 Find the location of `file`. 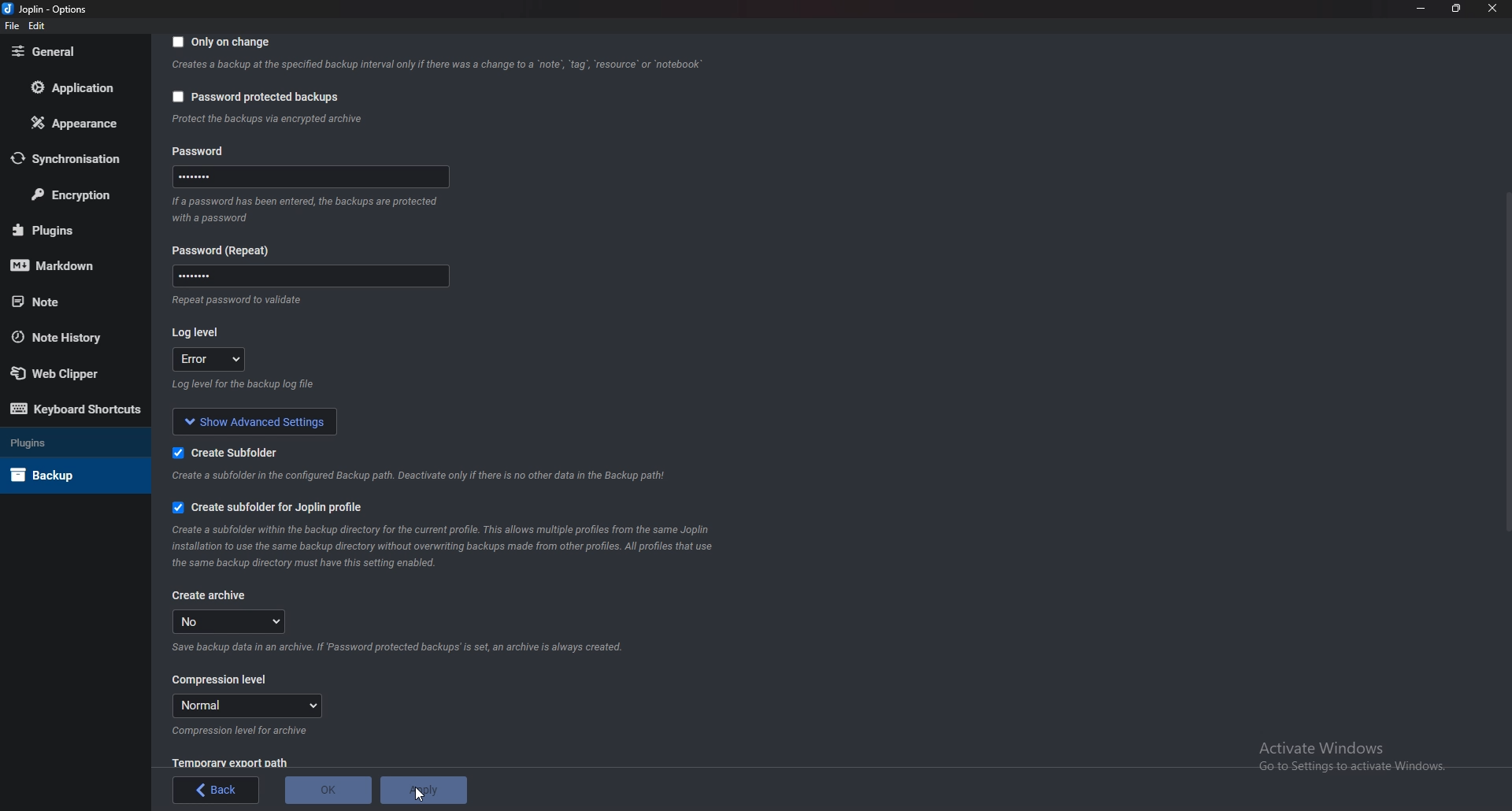

file is located at coordinates (11, 27).